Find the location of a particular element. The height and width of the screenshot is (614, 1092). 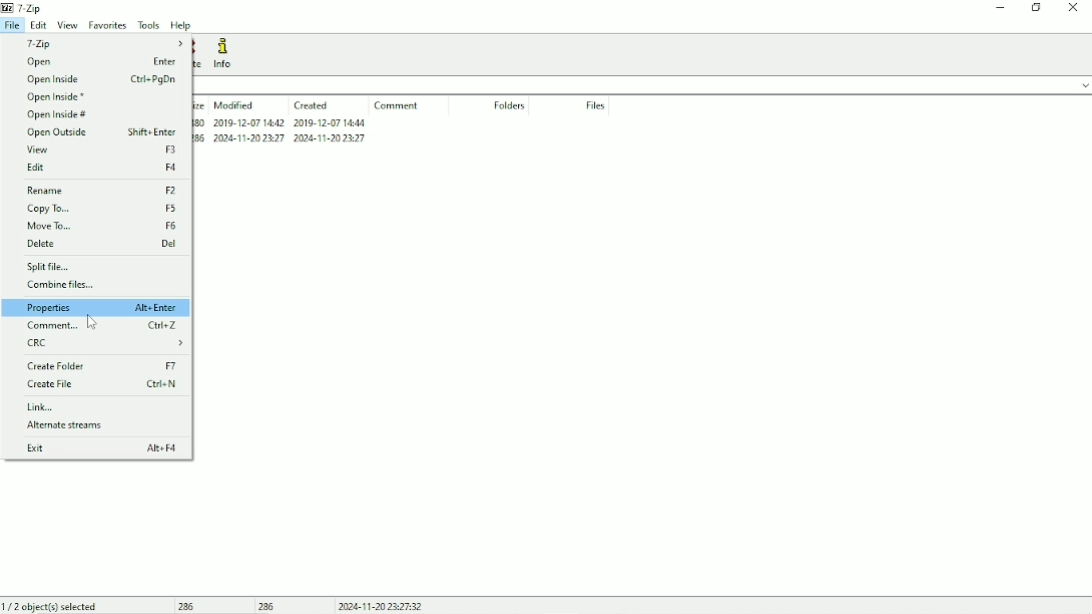

View  is located at coordinates (103, 150).